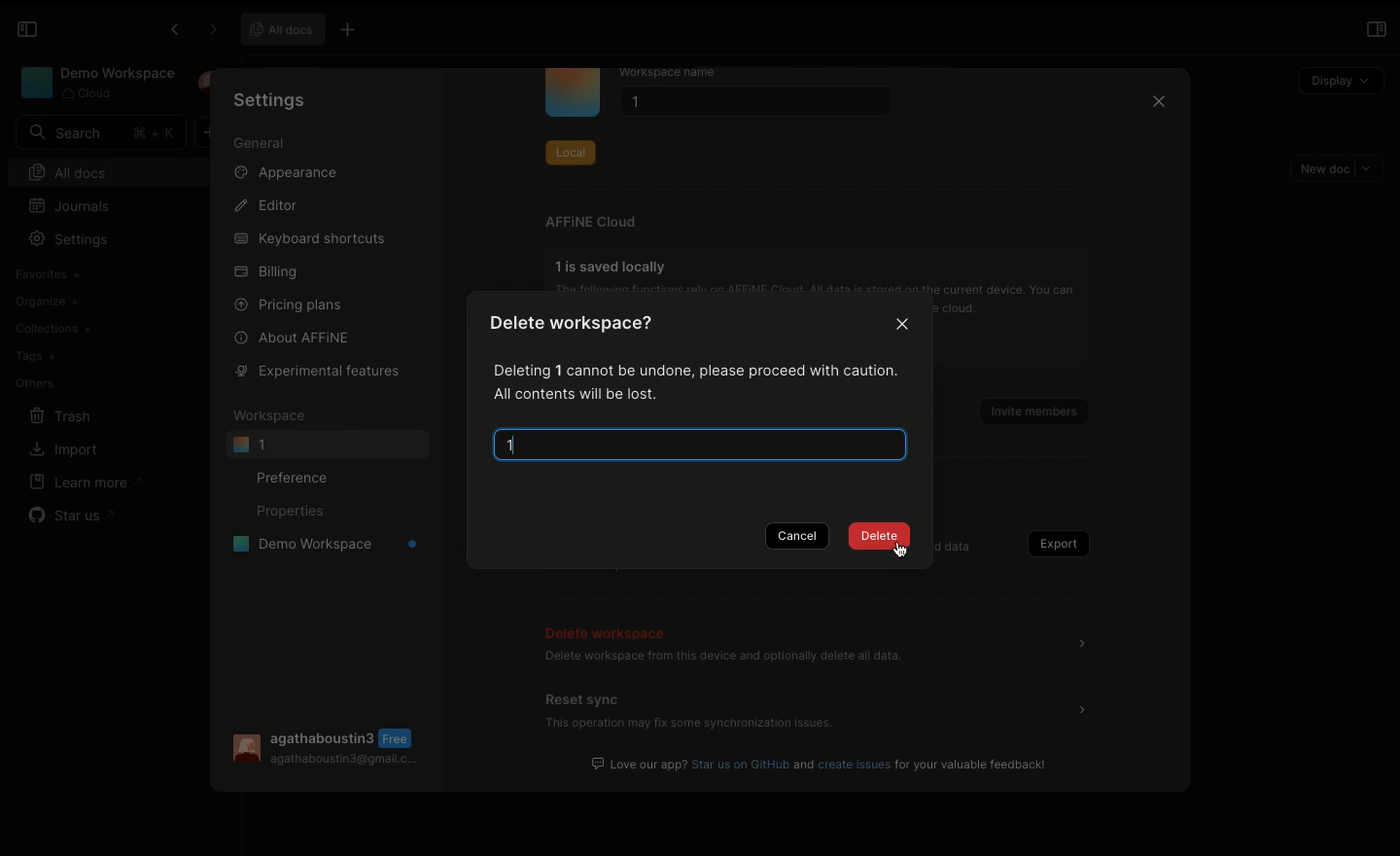  What do you see at coordinates (1340, 78) in the screenshot?
I see `Display` at bounding box center [1340, 78].